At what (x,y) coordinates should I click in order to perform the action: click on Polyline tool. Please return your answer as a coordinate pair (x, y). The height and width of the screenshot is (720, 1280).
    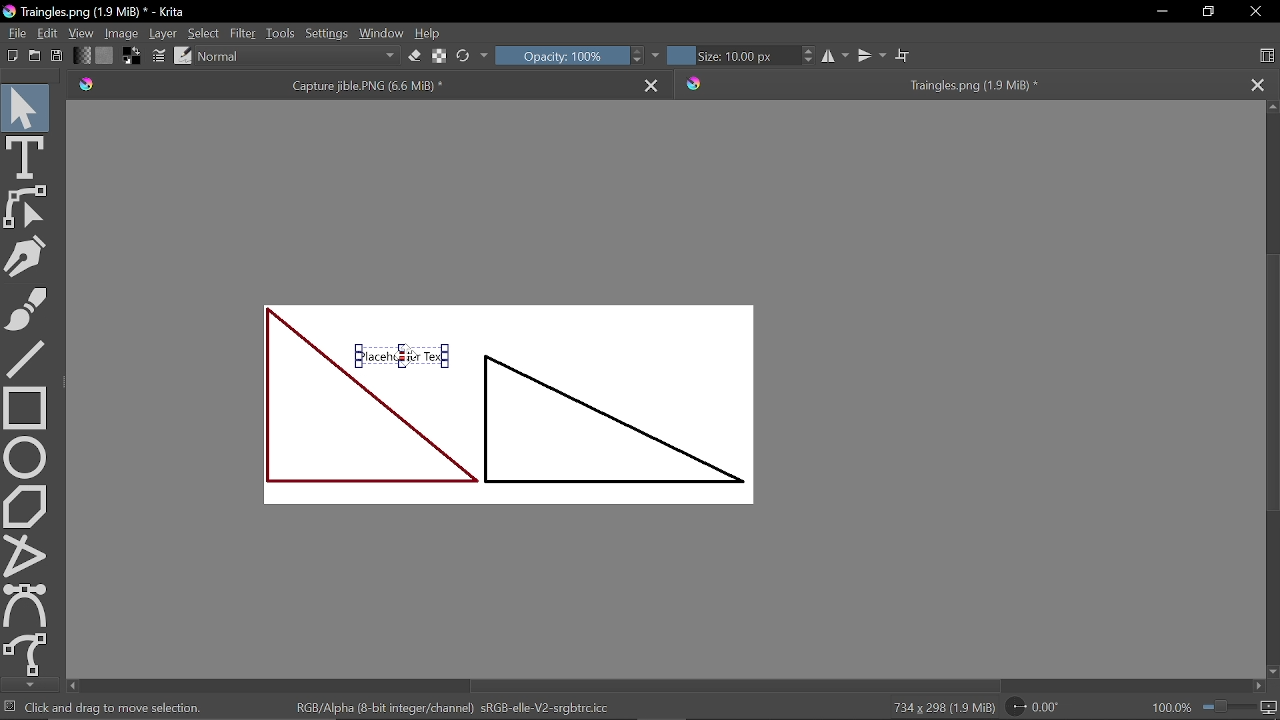
    Looking at the image, I should click on (22, 555).